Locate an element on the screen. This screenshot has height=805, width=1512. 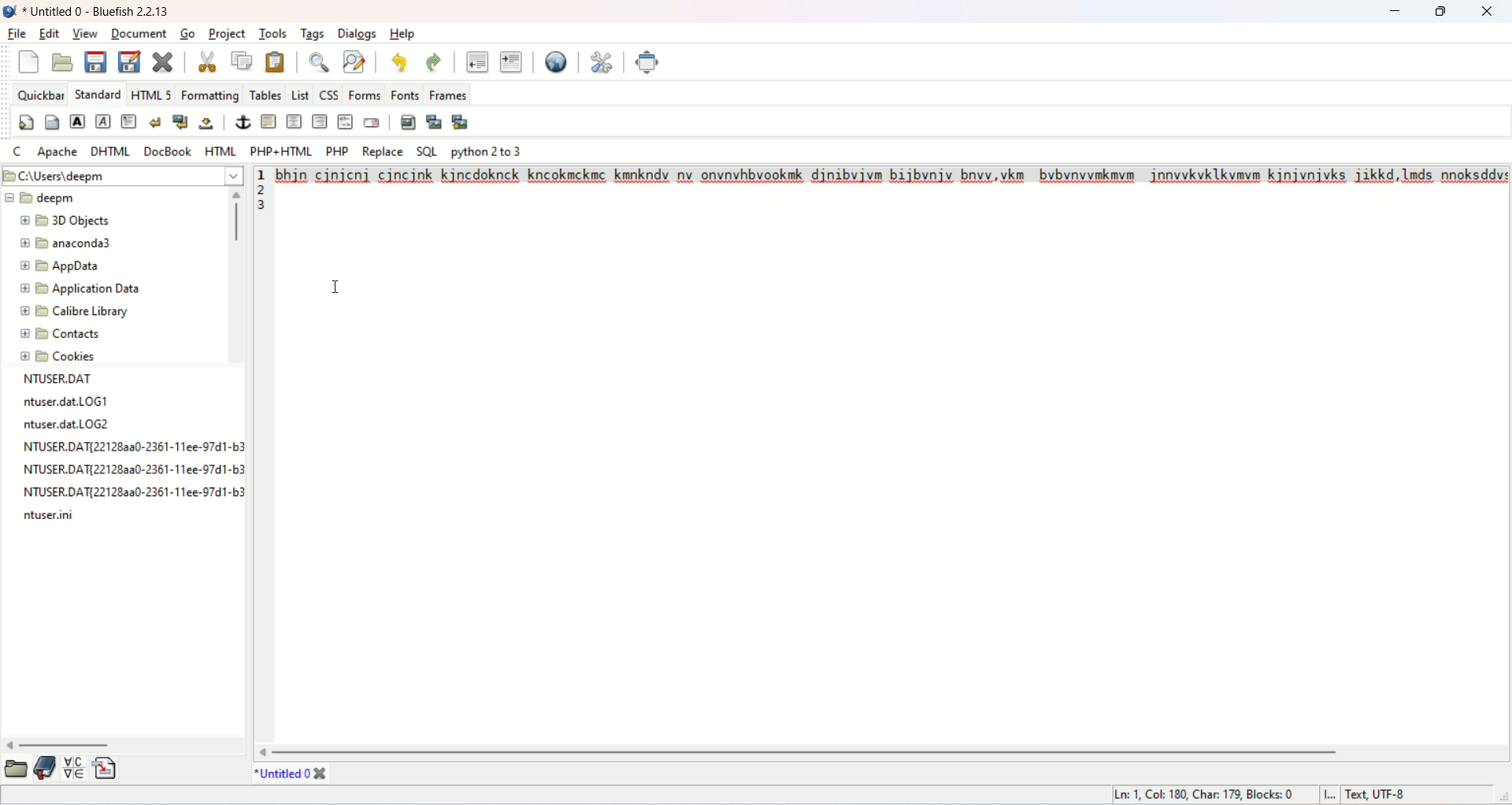
application is located at coordinates (85, 287).